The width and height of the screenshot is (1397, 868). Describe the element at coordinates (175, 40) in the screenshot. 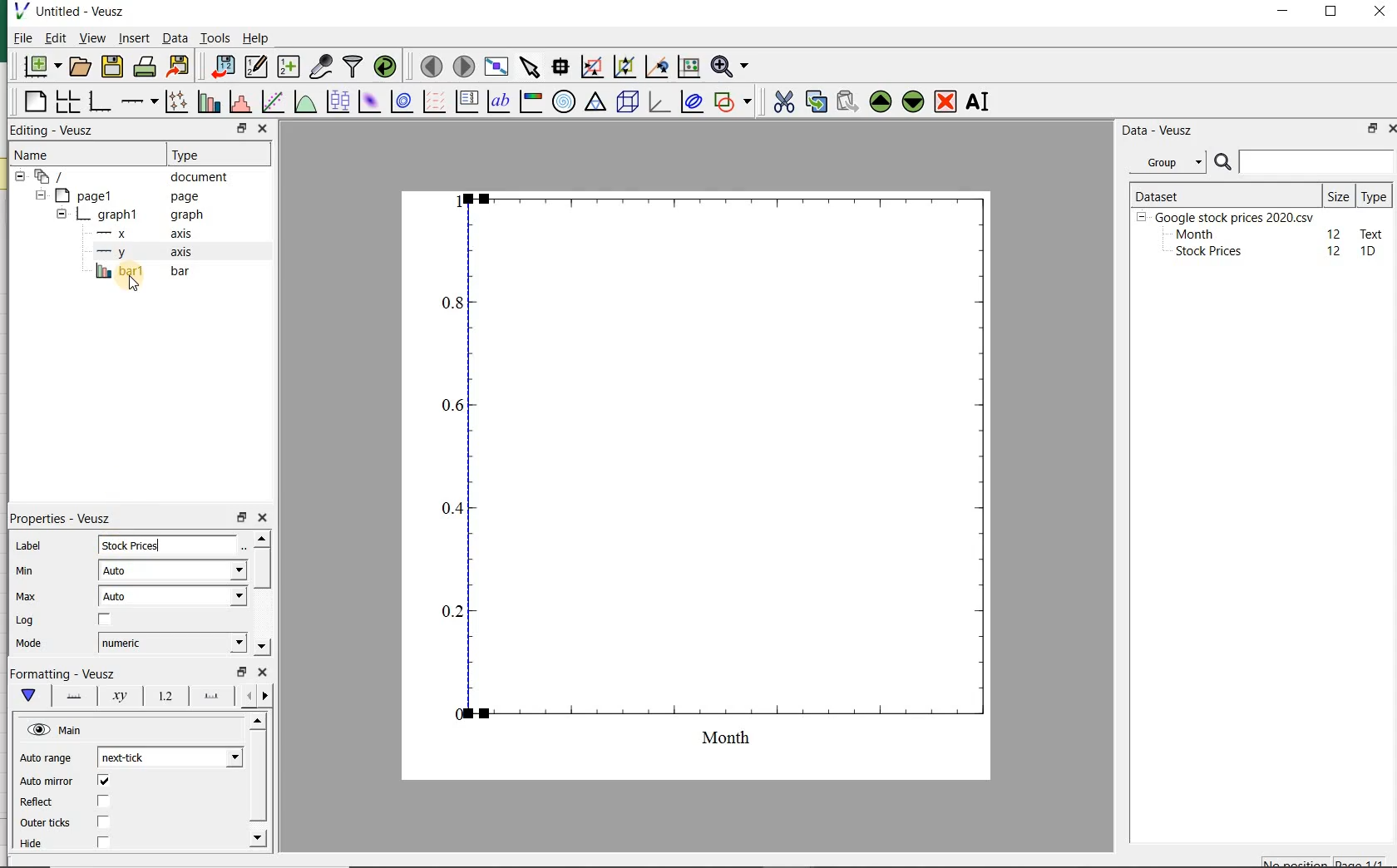

I see `Data` at that location.